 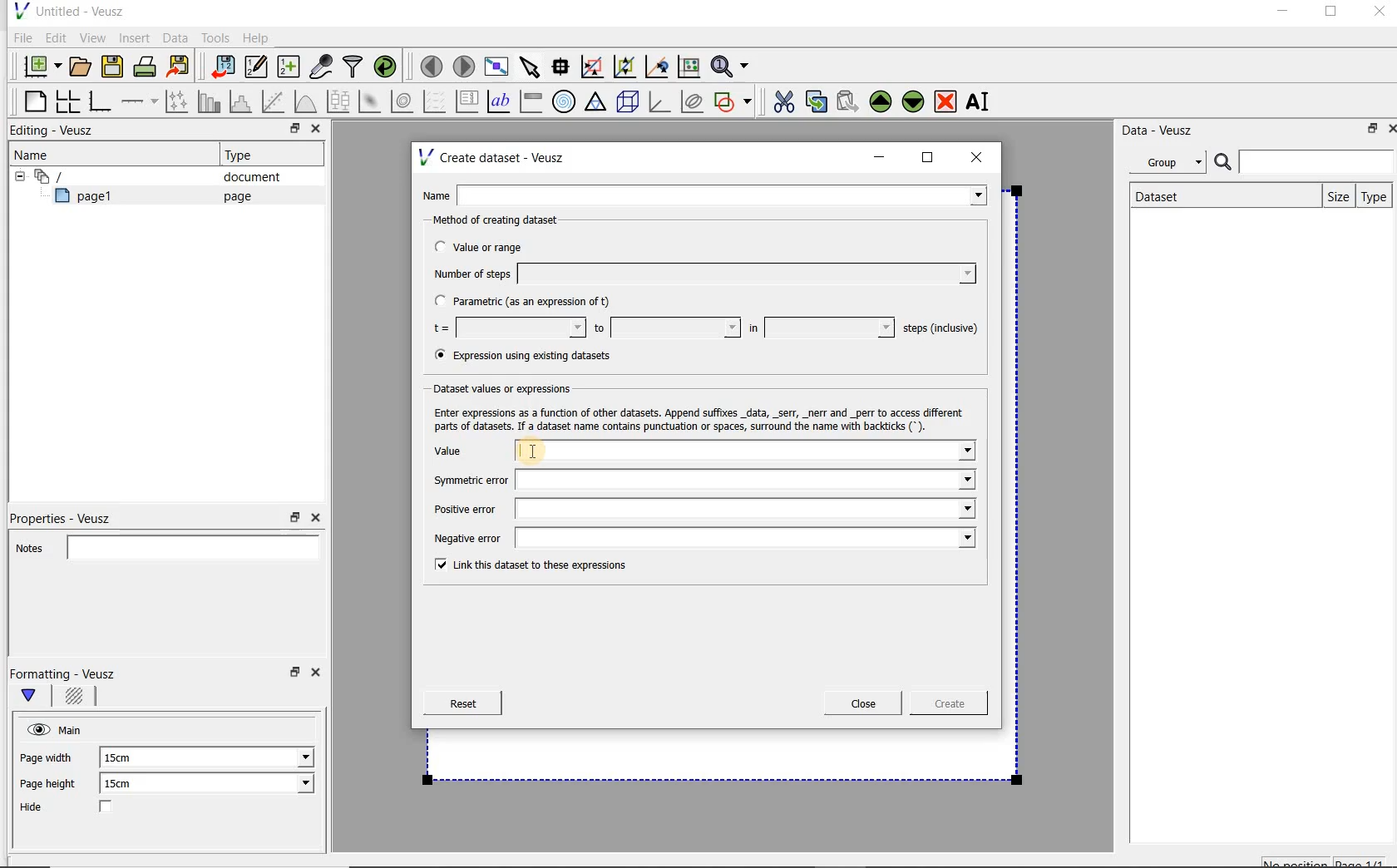 I want to click on Close, so click(x=314, y=518).